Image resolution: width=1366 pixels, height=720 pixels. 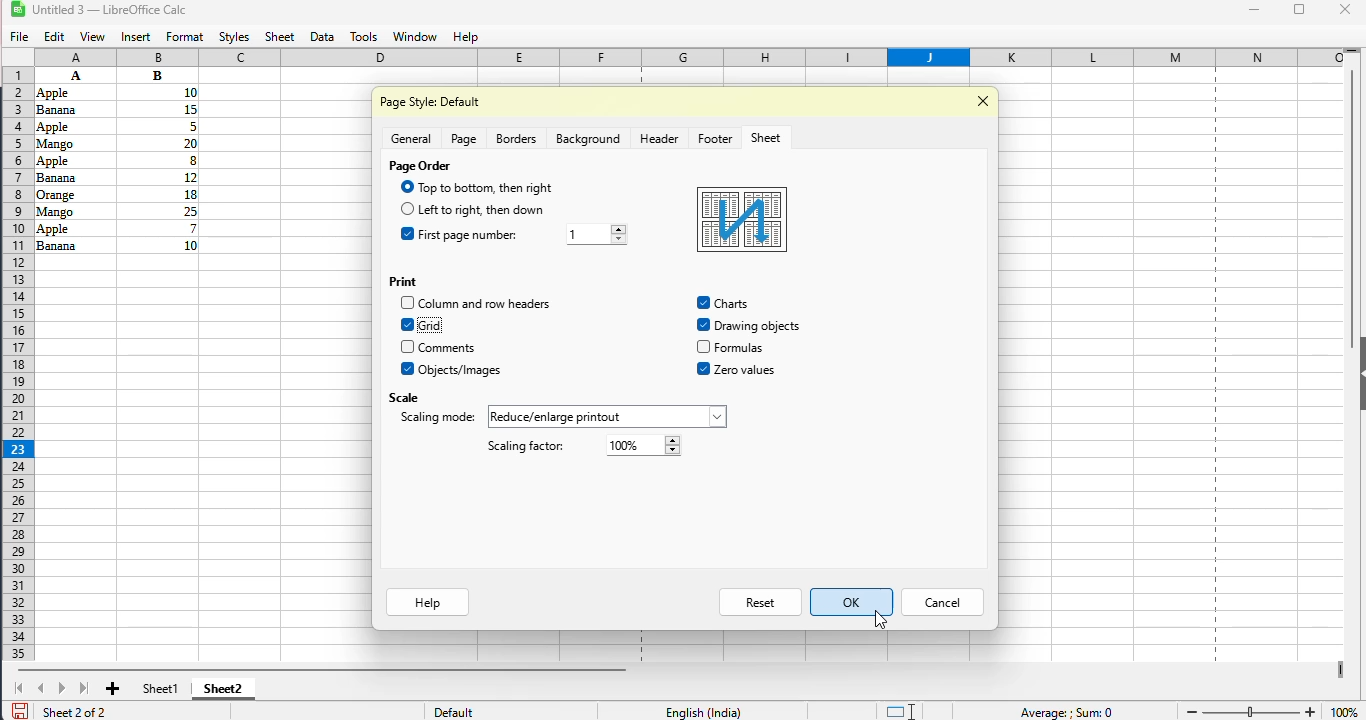 What do you see at coordinates (159, 193) in the screenshot?
I see `` at bounding box center [159, 193].